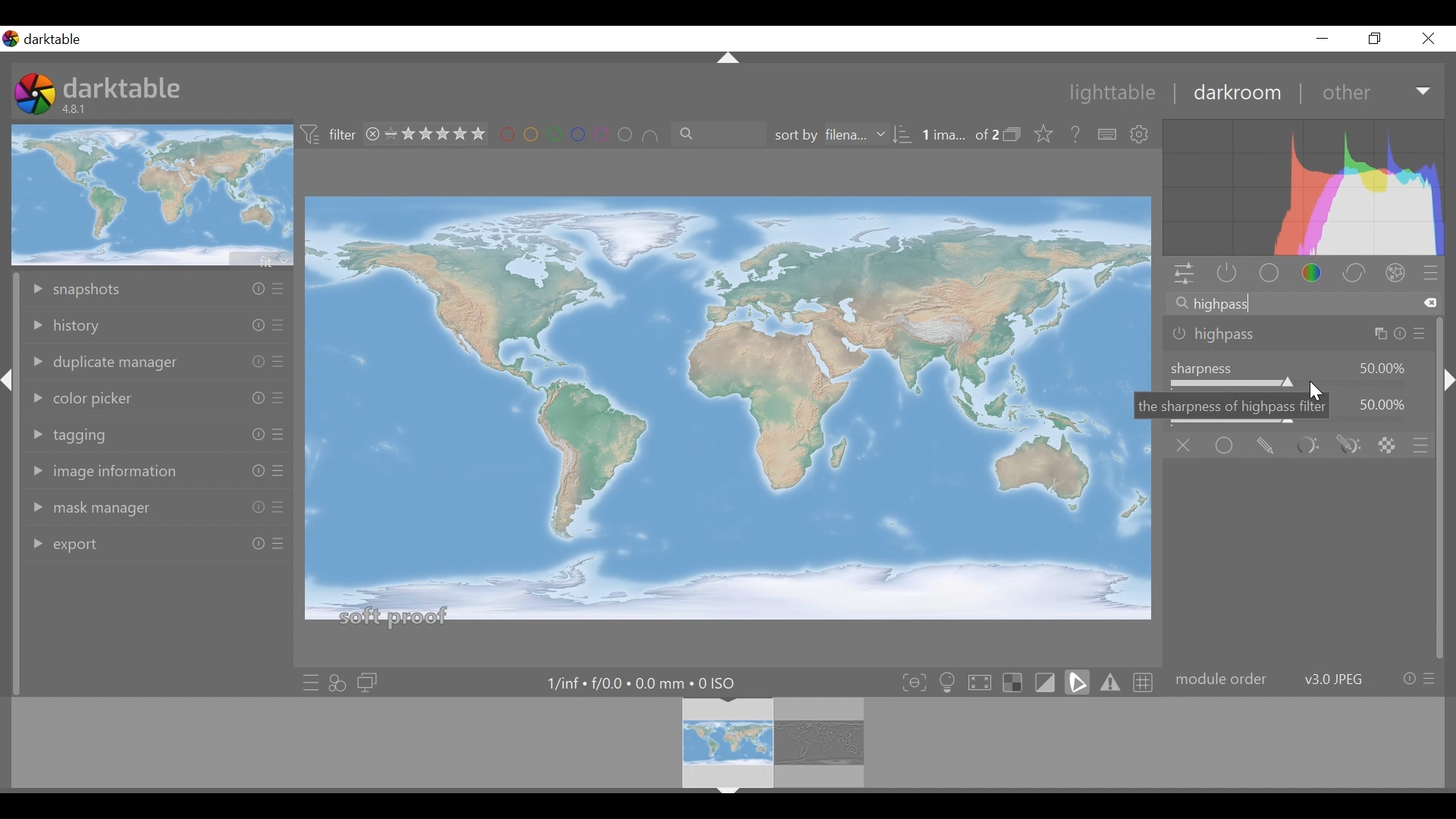  What do you see at coordinates (1232, 406) in the screenshot?
I see `the sharpness of highpass filter` at bounding box center [1232, 406].